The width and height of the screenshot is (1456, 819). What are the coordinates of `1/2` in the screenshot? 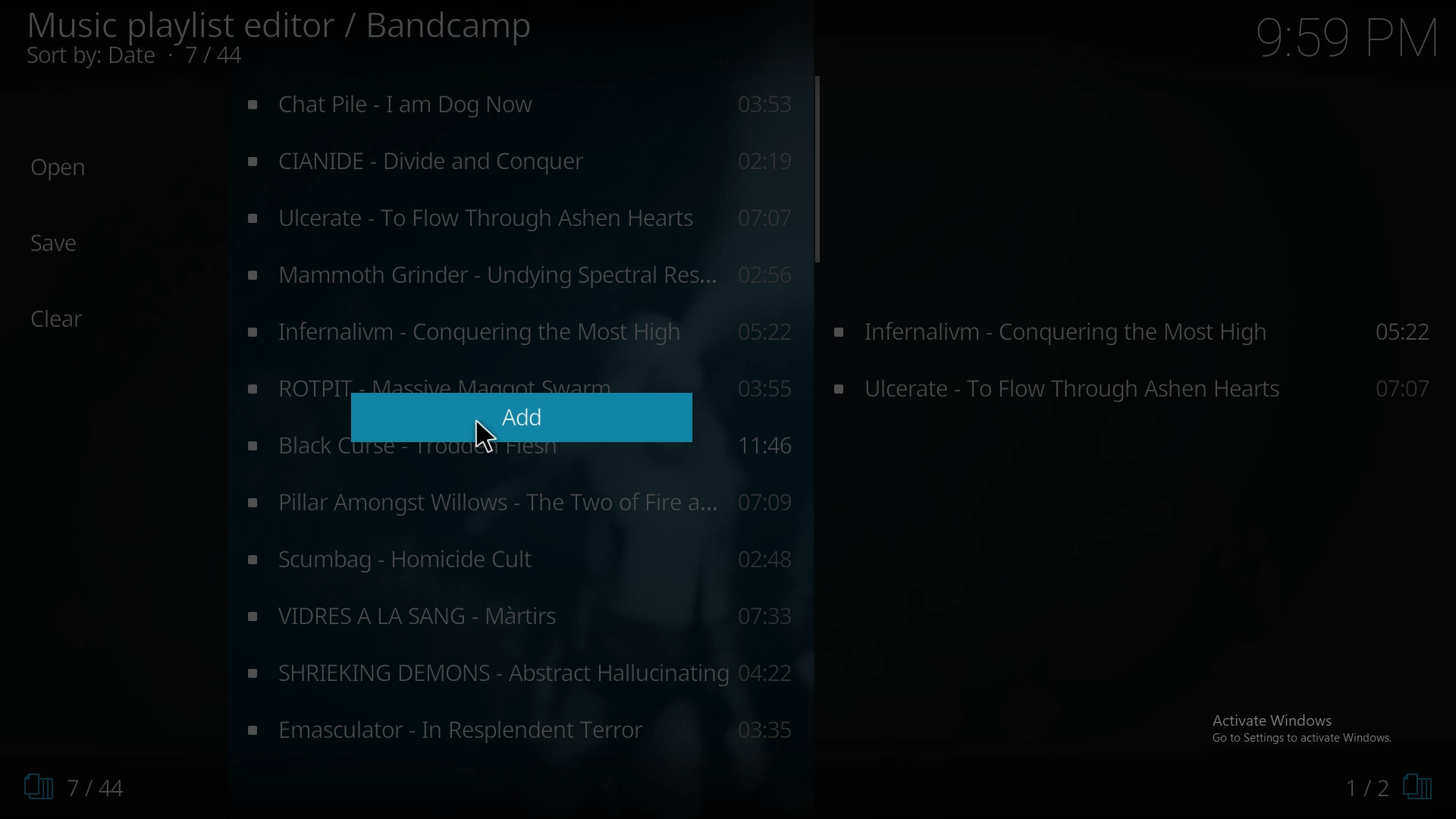 It's located at (1381, 790).